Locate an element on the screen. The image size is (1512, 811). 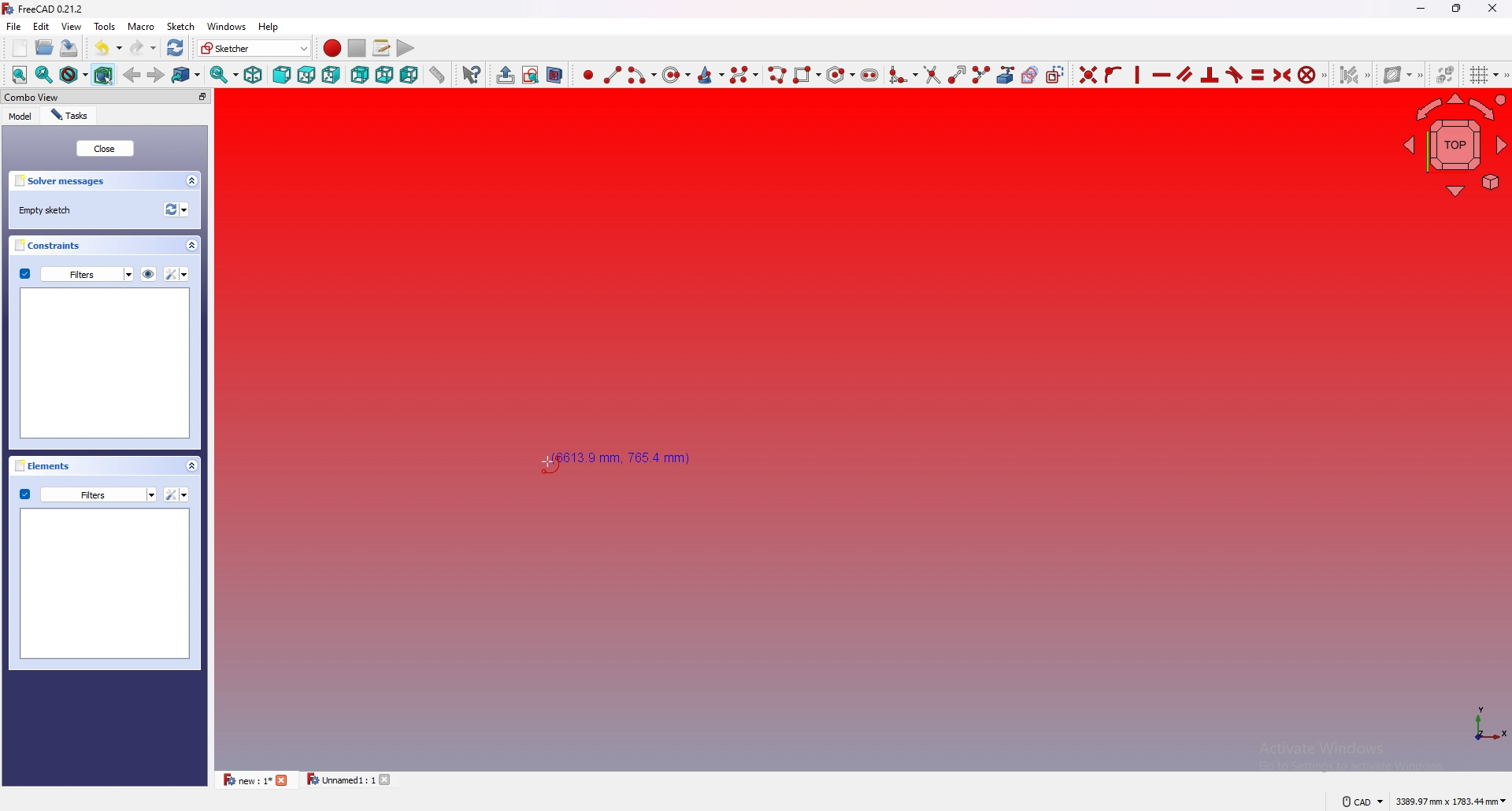
synced view is located at coordinates (224, 74).